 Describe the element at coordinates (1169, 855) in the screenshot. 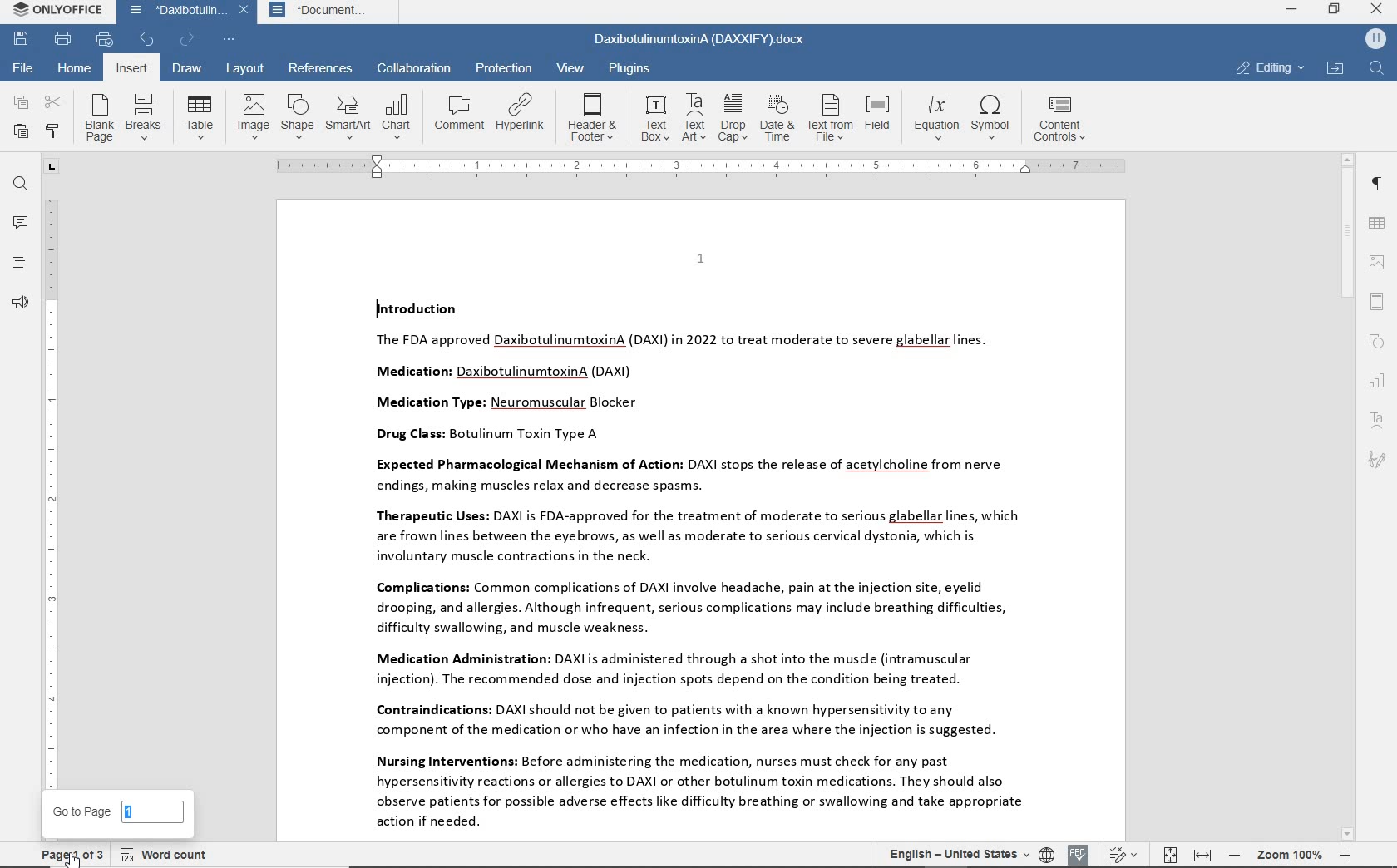

I see `fit to page` at that location.